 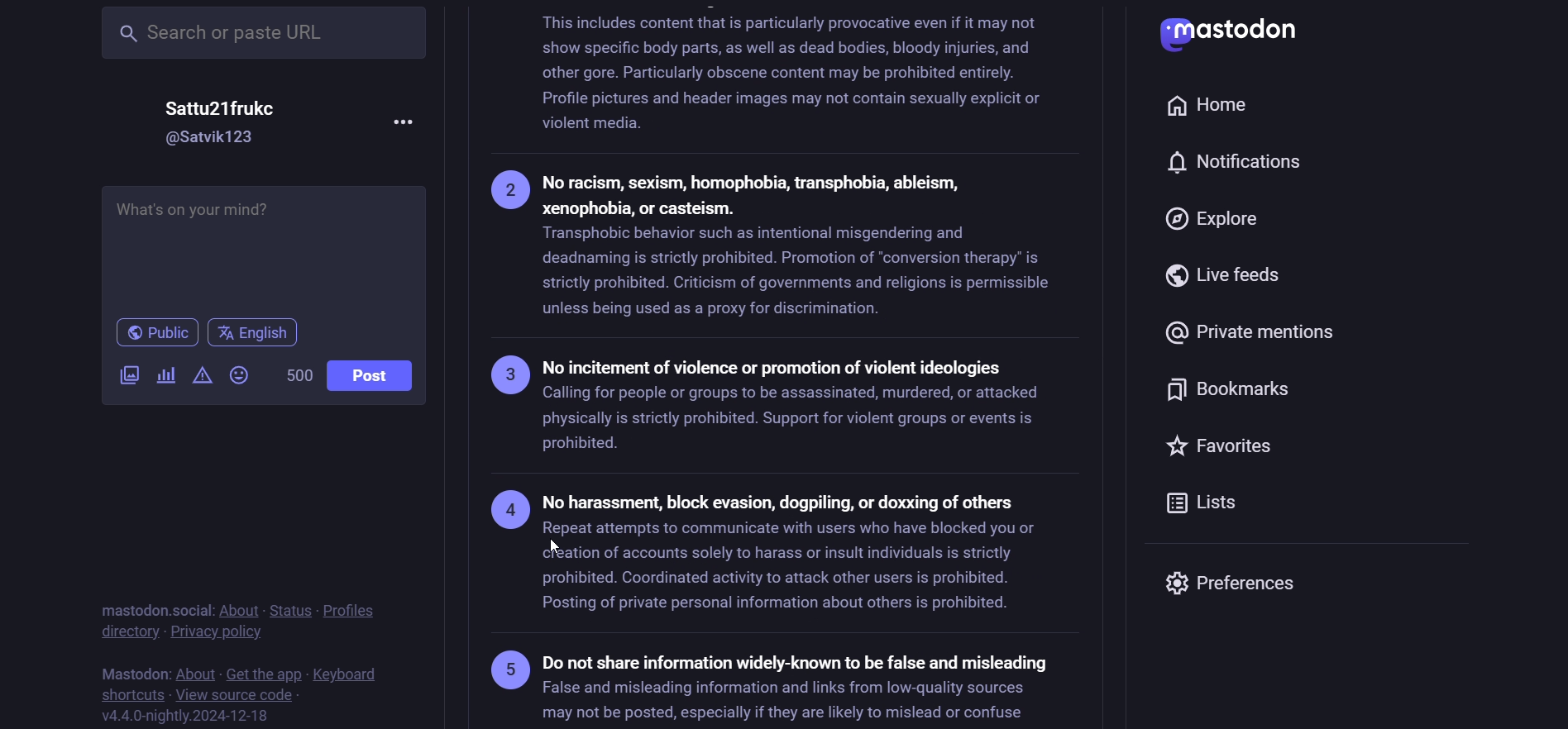 I want to click on poll, so click(x=165, y=378).